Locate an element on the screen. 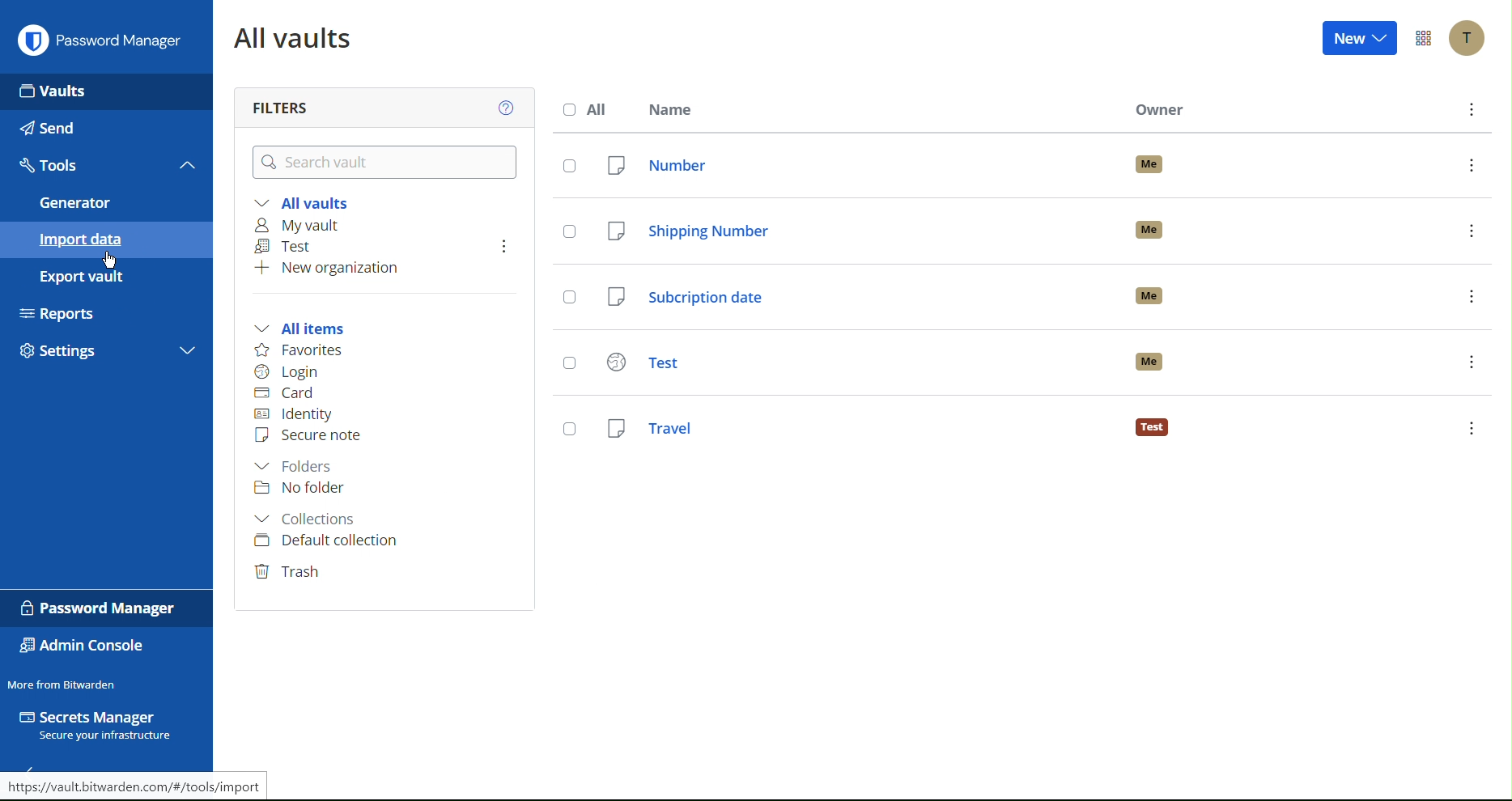  select entry is located at coordinates (568, 232).